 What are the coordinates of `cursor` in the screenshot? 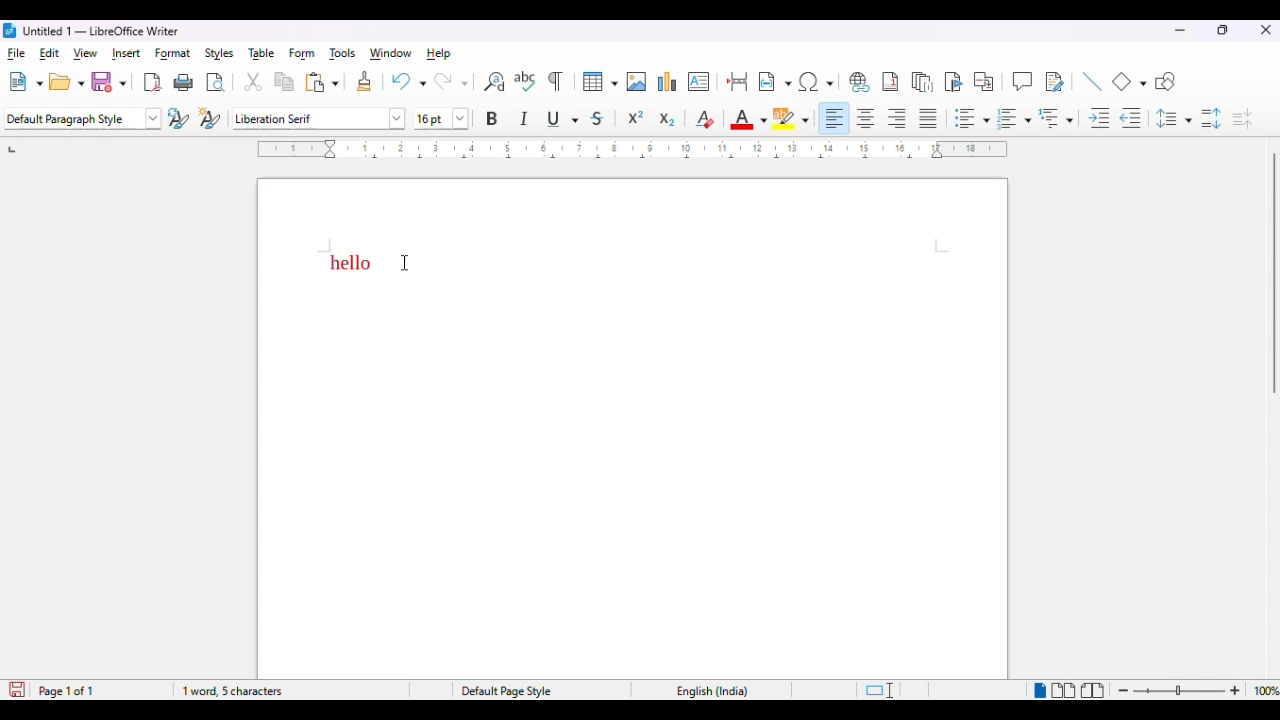 It's located at (406, 260).